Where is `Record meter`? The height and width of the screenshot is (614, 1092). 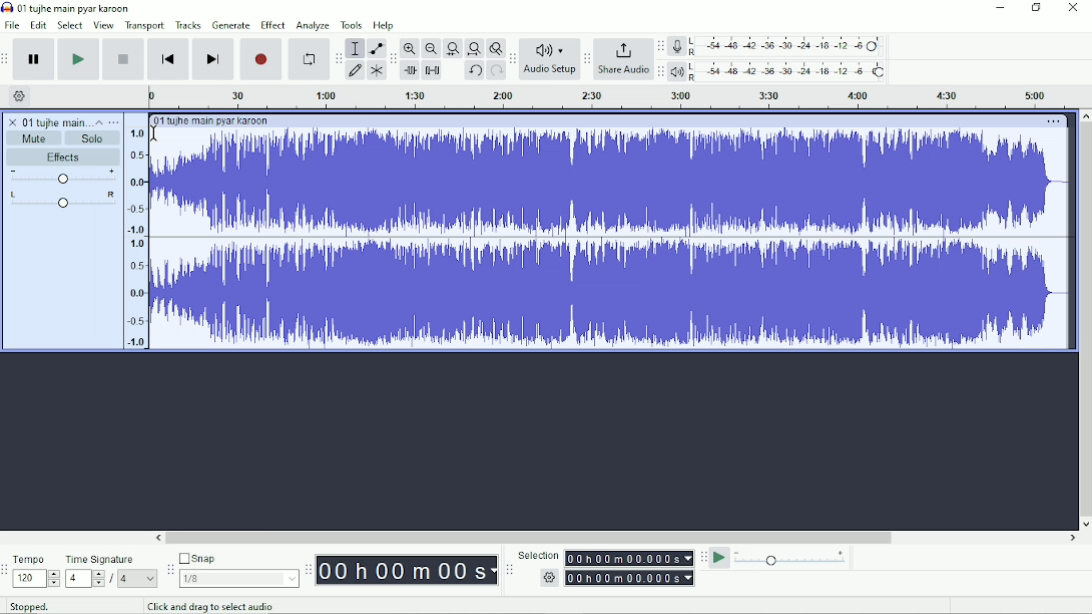
Record meter is located at coordinates (776, 46).